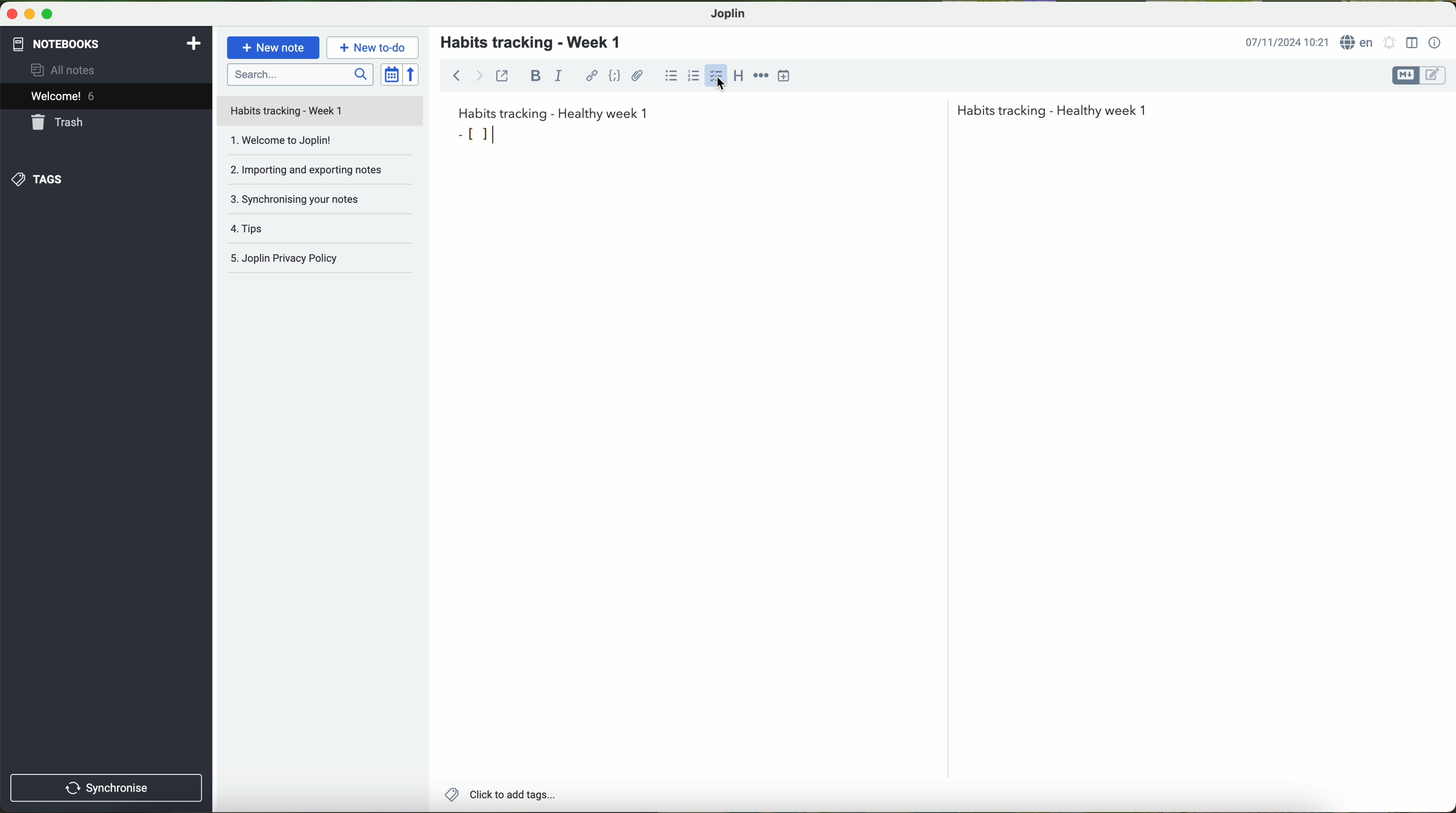 Image resolution: width=1456 pixels, height=813 pixels. I want to click on bulleted list, so click(671, 75).